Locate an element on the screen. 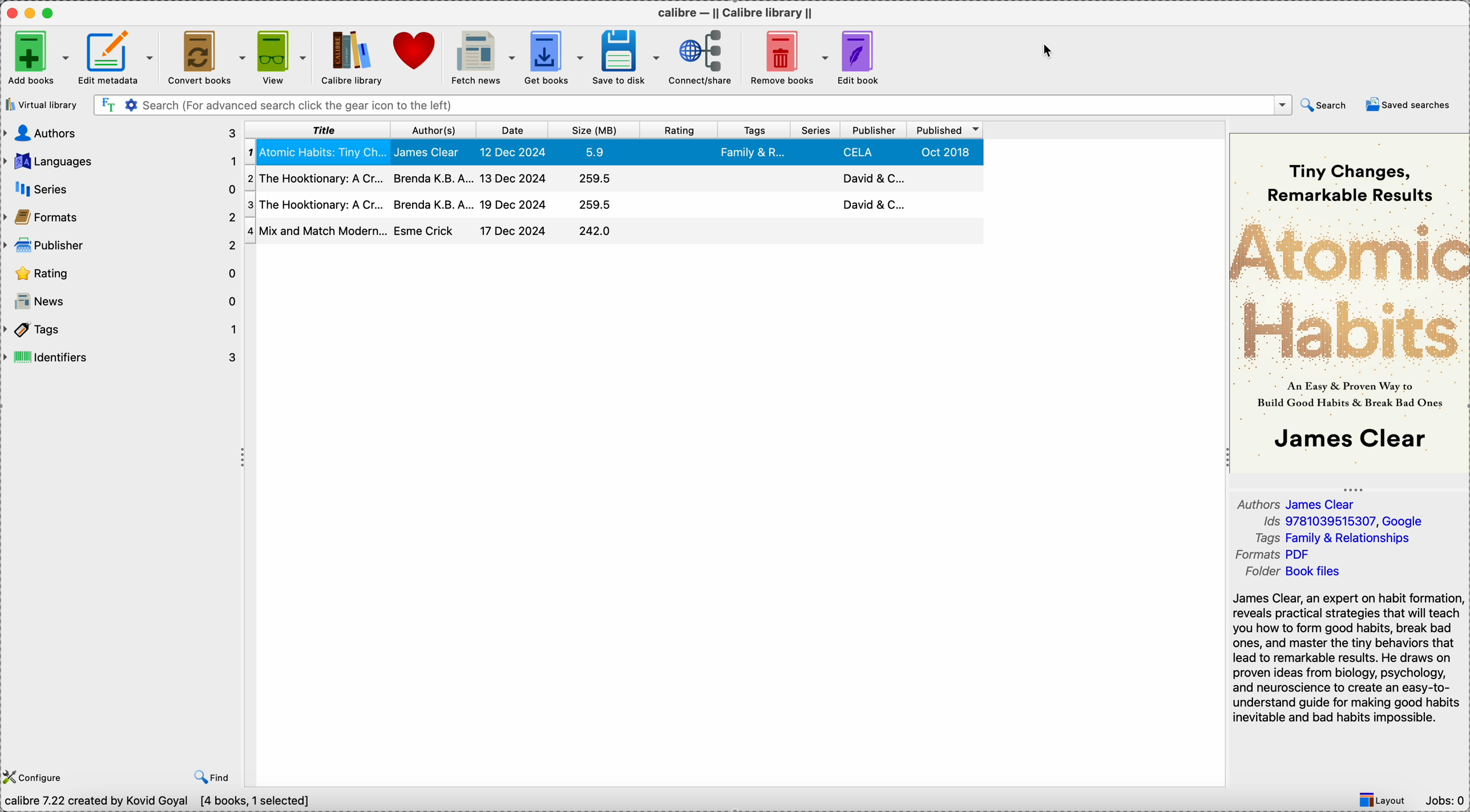 Image resolution: width=1470 pixels, height=812 pixels. search bar is located at coordinates (671, 106).